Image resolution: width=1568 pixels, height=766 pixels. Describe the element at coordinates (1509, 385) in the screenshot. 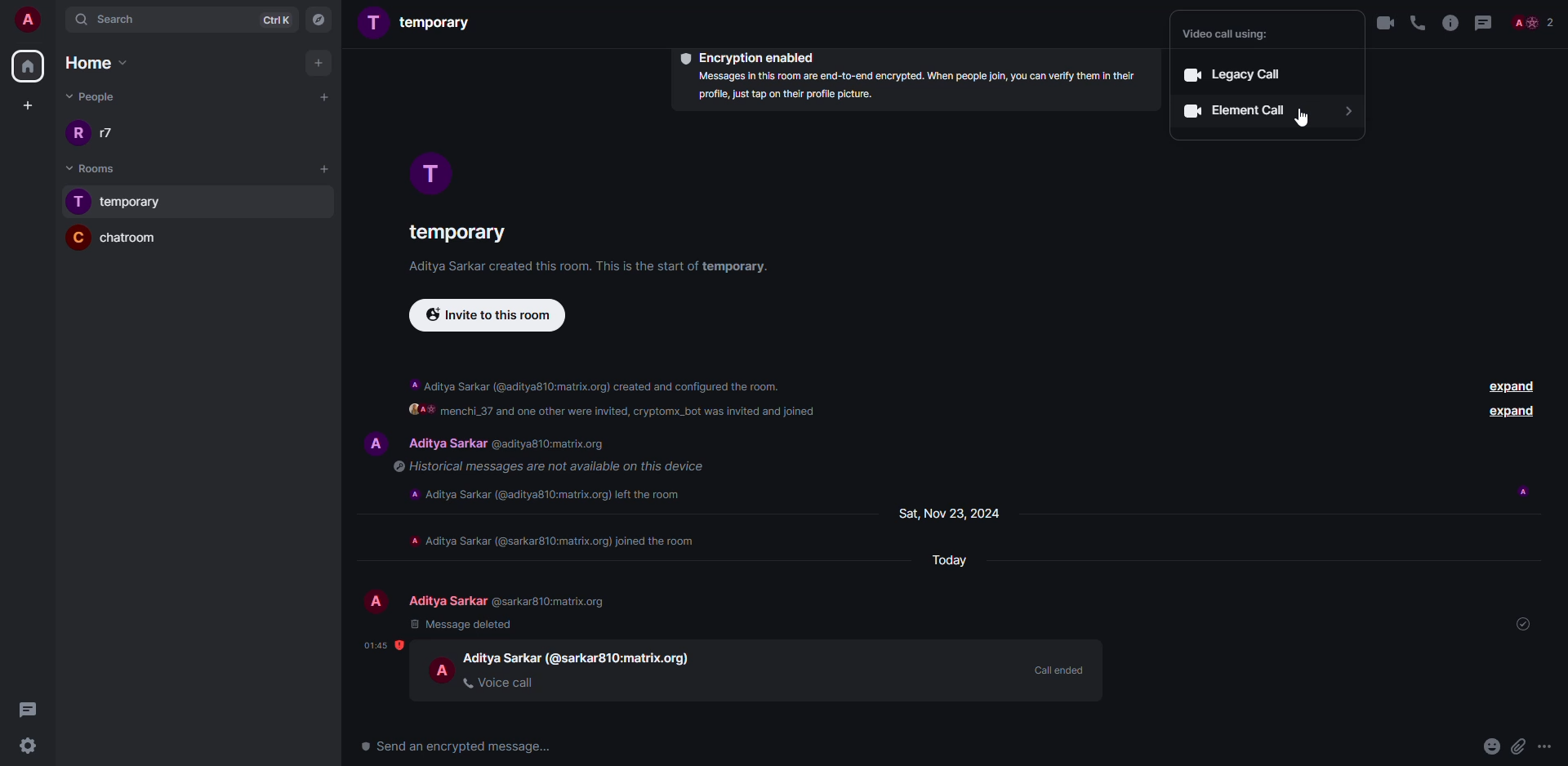

I see `expand` at that location.